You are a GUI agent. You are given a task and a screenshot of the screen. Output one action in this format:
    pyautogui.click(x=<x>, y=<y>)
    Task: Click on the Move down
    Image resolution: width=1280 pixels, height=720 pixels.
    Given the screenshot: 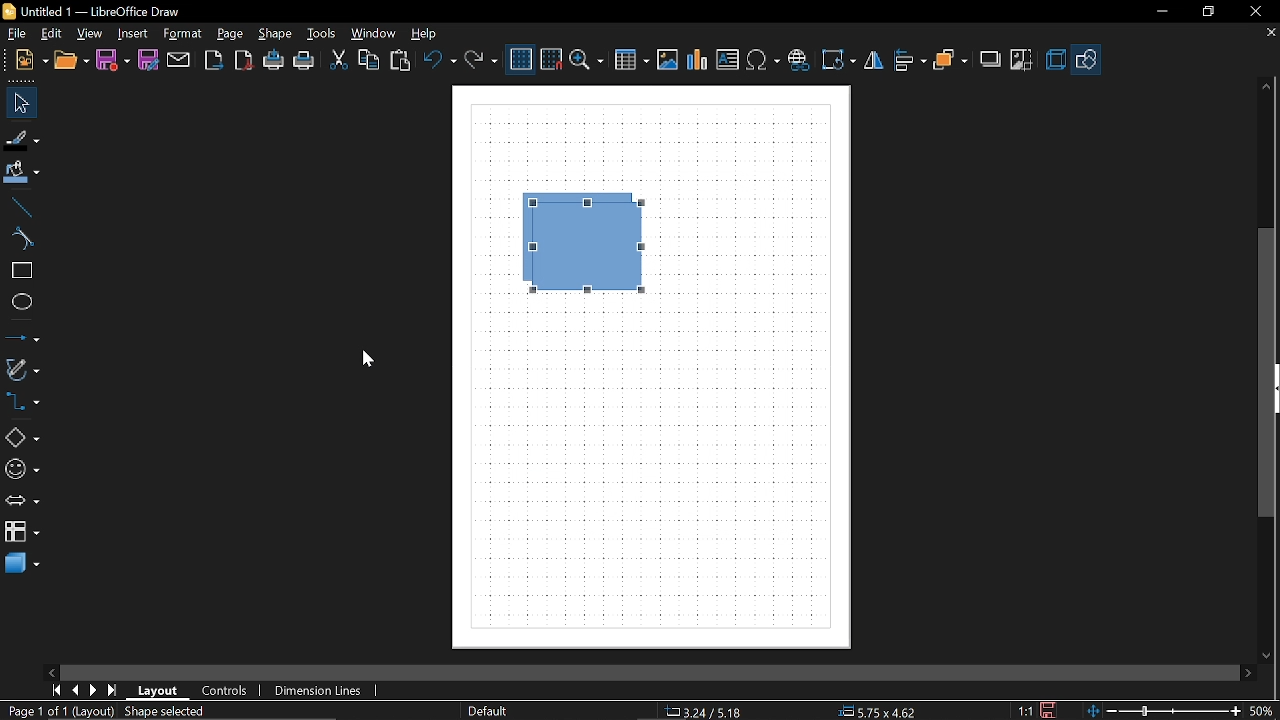 What is the action you would take?
    pyautogui.click(x=1269, y=654)
    